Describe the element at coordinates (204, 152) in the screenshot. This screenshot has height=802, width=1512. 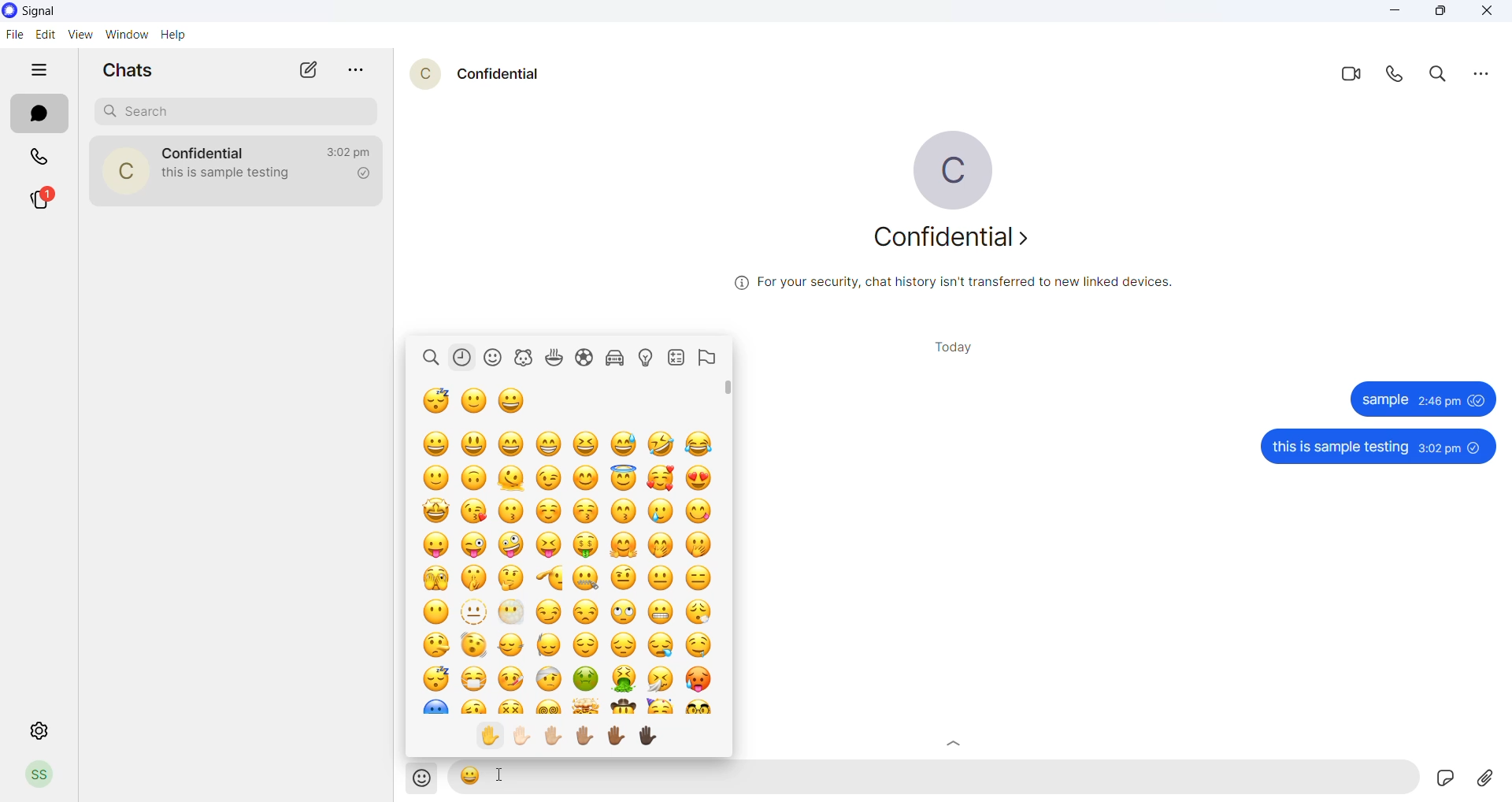
I see `contact name` at that location.